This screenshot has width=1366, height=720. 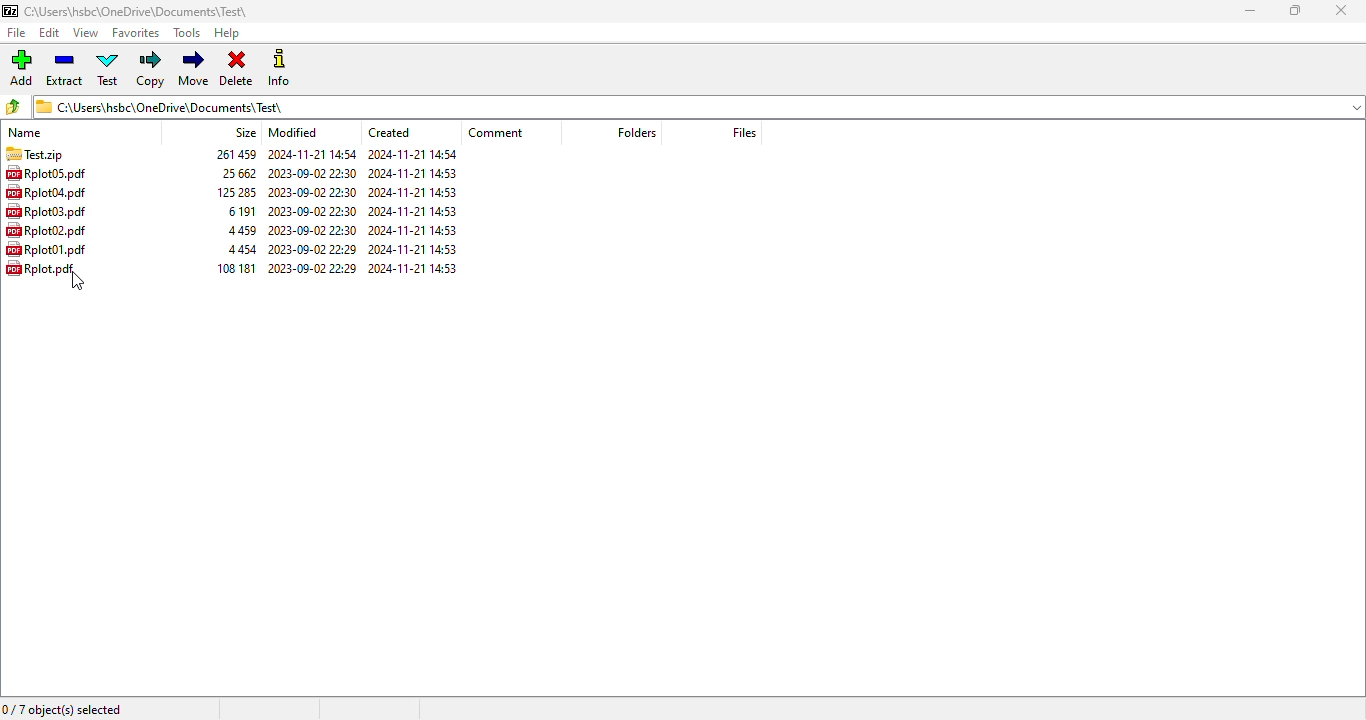 What do you see at coordinates (228, 247) in the screenshot?
I see `4454` at bounding box center [228, 247].